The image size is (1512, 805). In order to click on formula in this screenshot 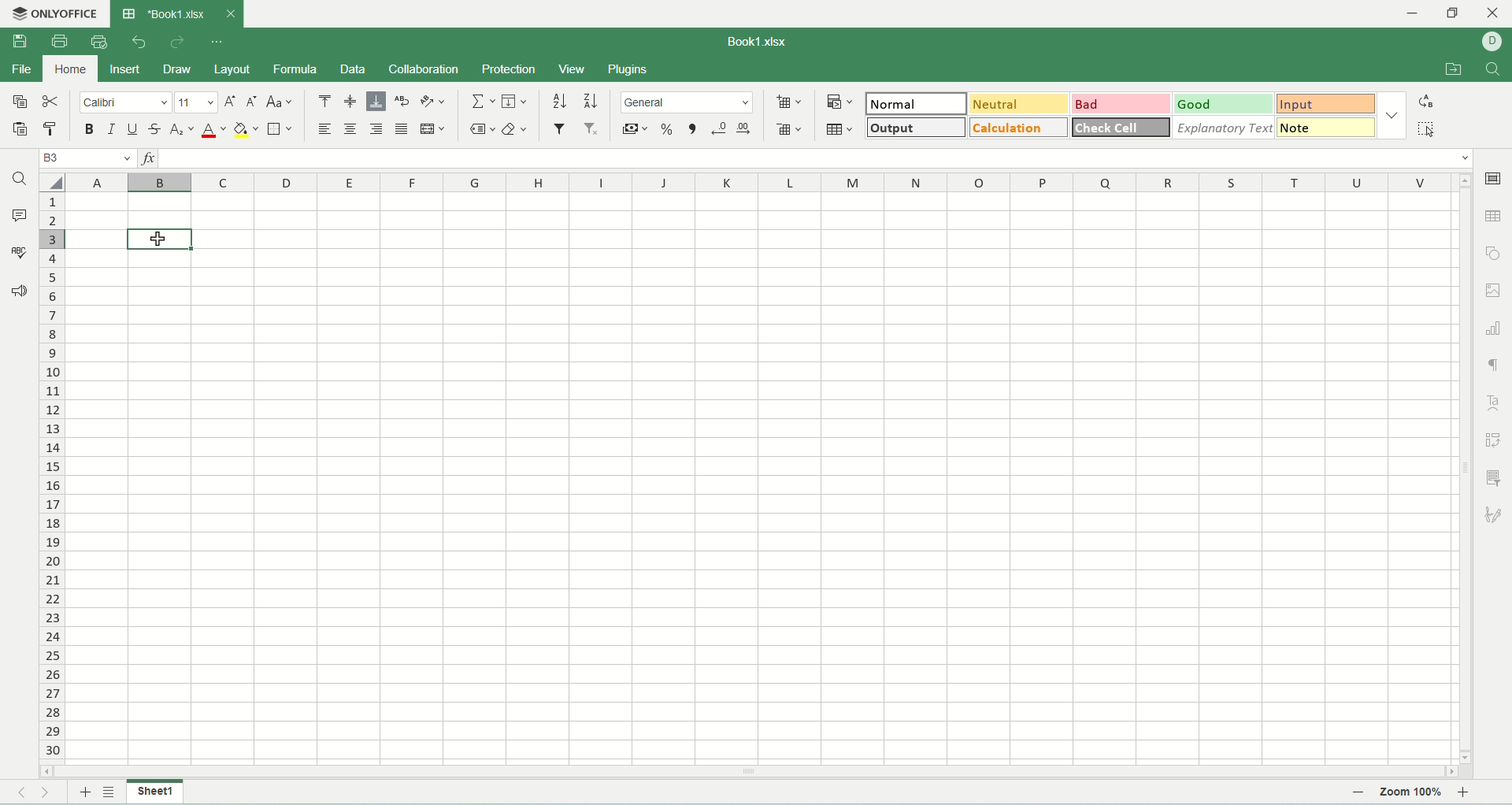, I will do `click(293, 69)`.